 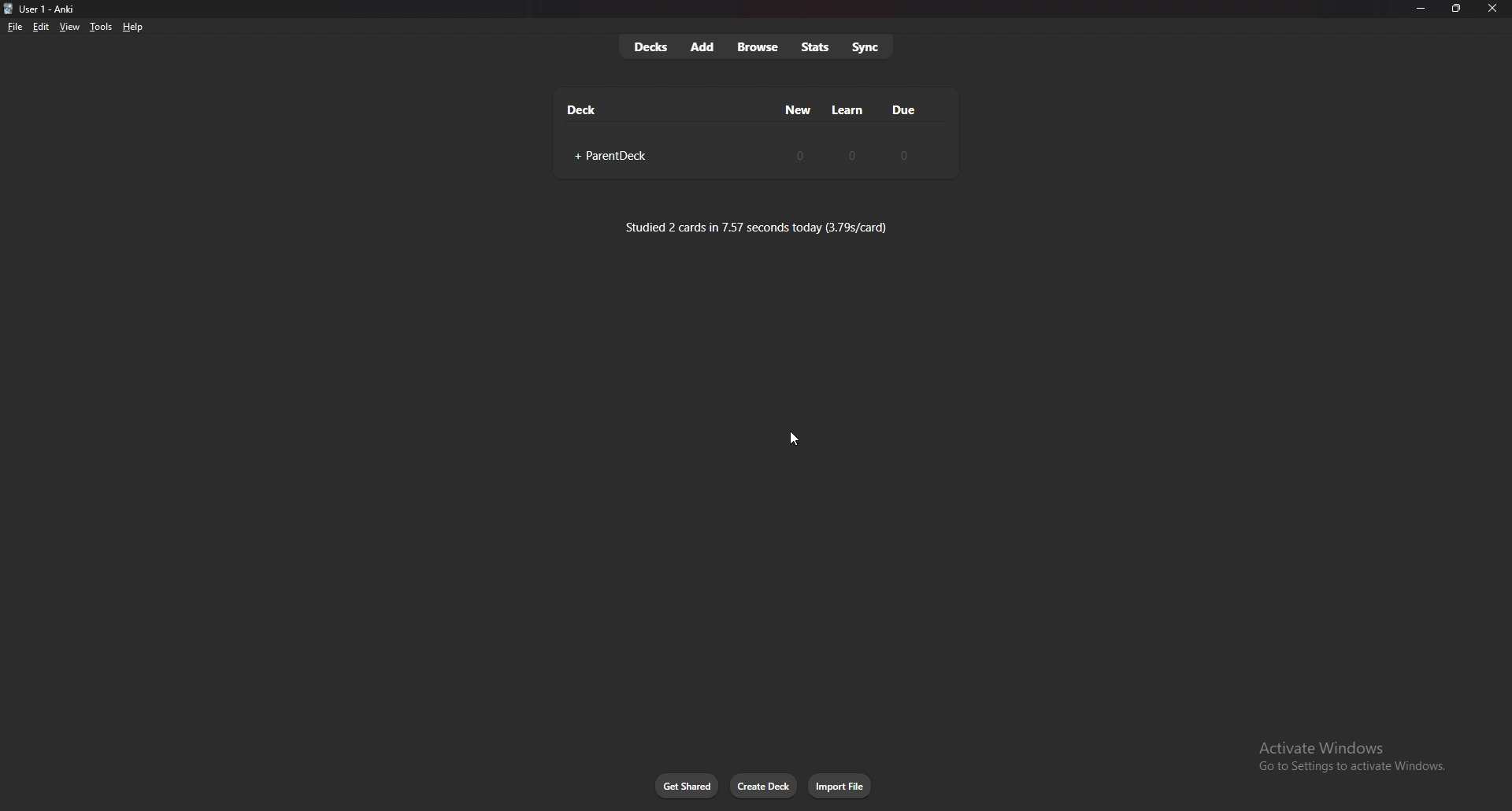 I want to click on get shared, so click(x=687, y=787).